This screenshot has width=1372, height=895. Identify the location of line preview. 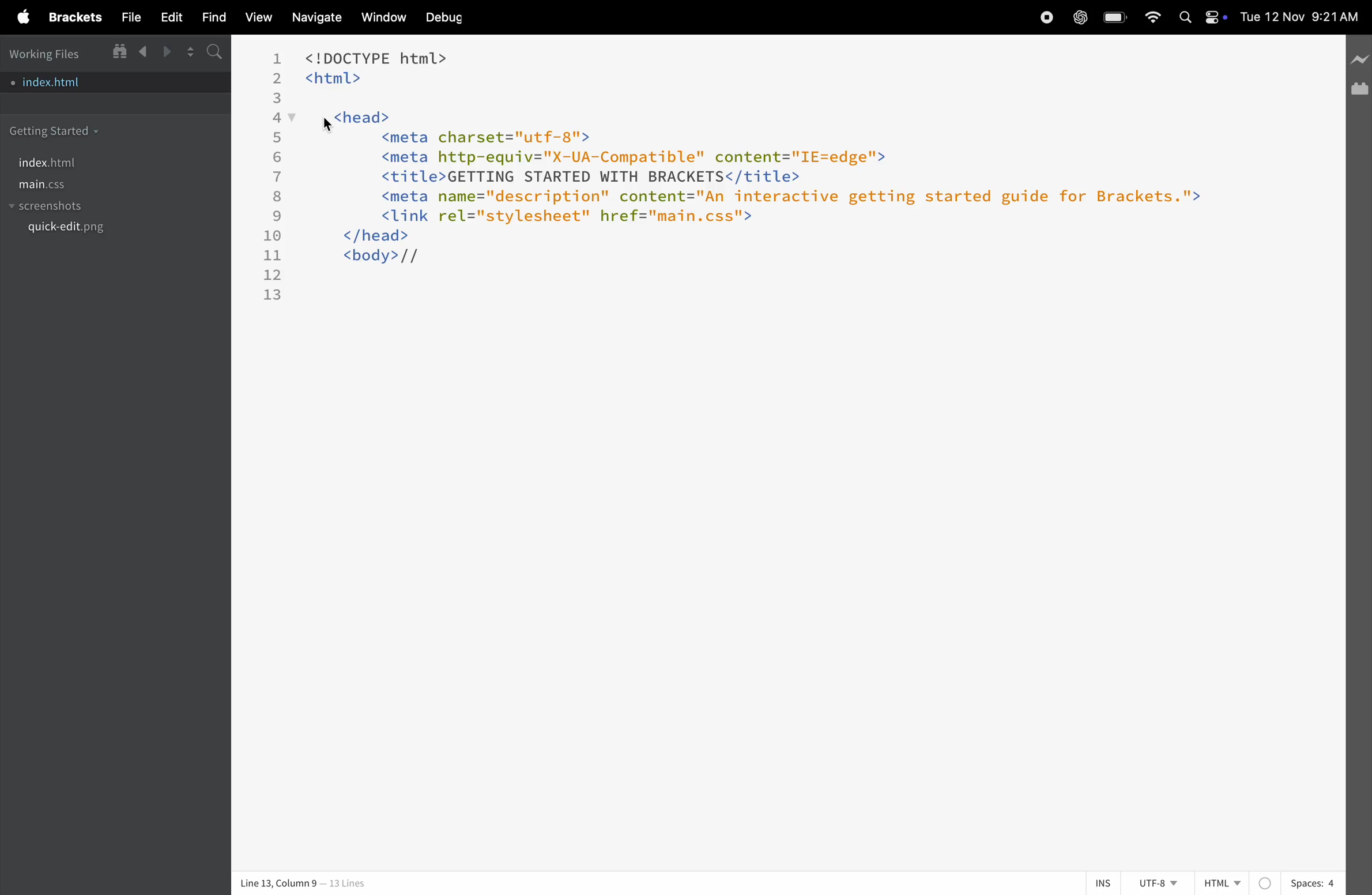
(1359, 60).